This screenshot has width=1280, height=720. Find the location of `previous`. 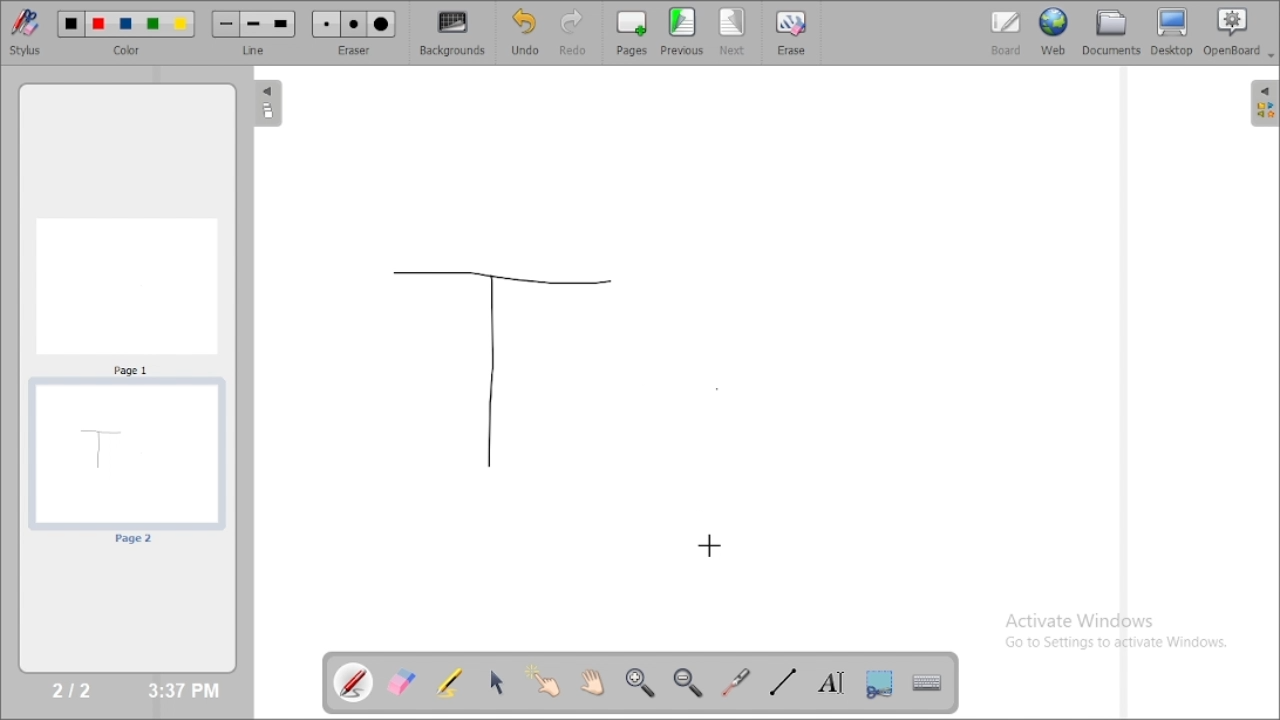

previous is located at coordinates (682, 31).